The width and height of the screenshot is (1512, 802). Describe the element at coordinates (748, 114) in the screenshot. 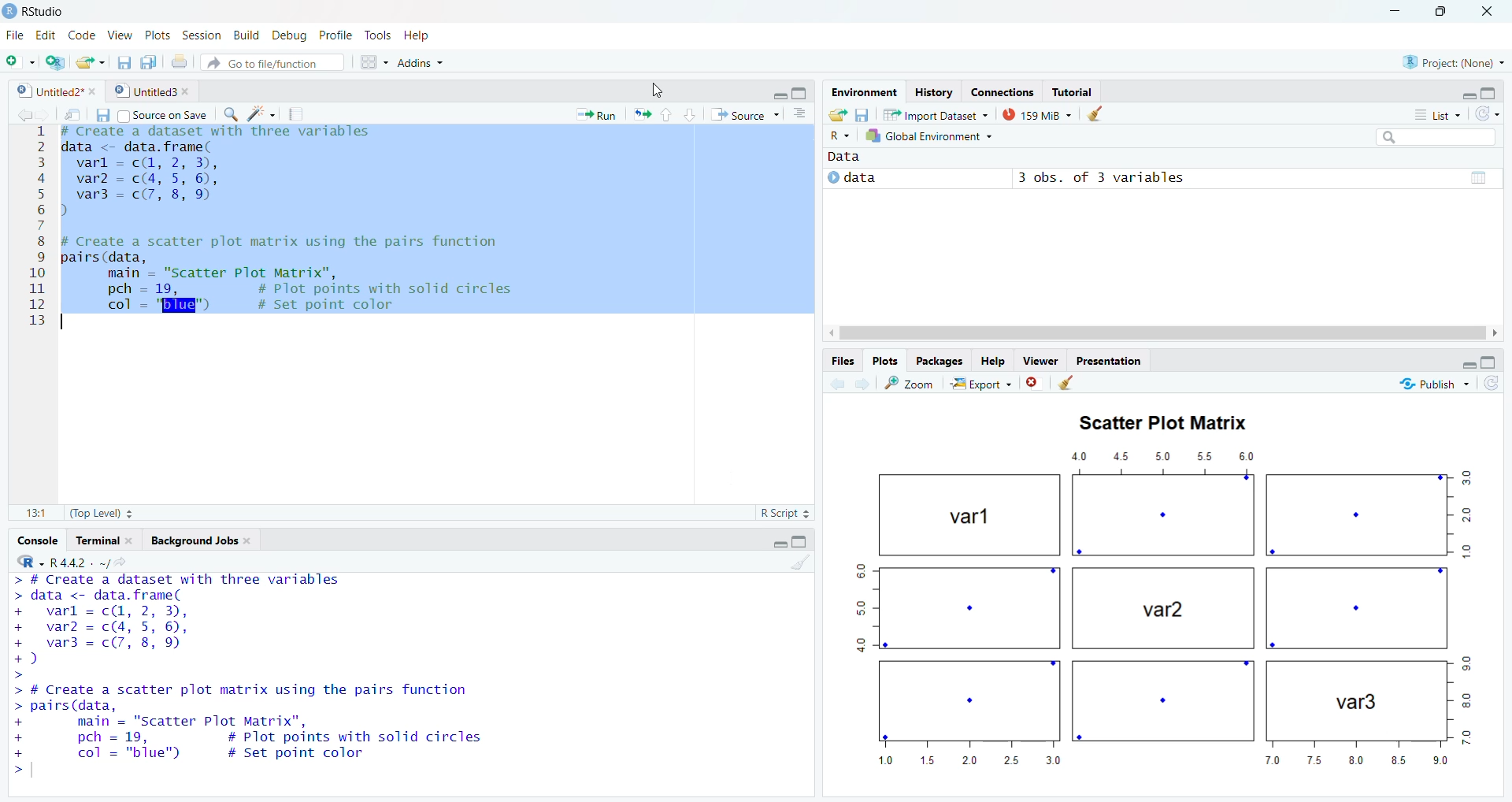

I see `+ Source` at that location.